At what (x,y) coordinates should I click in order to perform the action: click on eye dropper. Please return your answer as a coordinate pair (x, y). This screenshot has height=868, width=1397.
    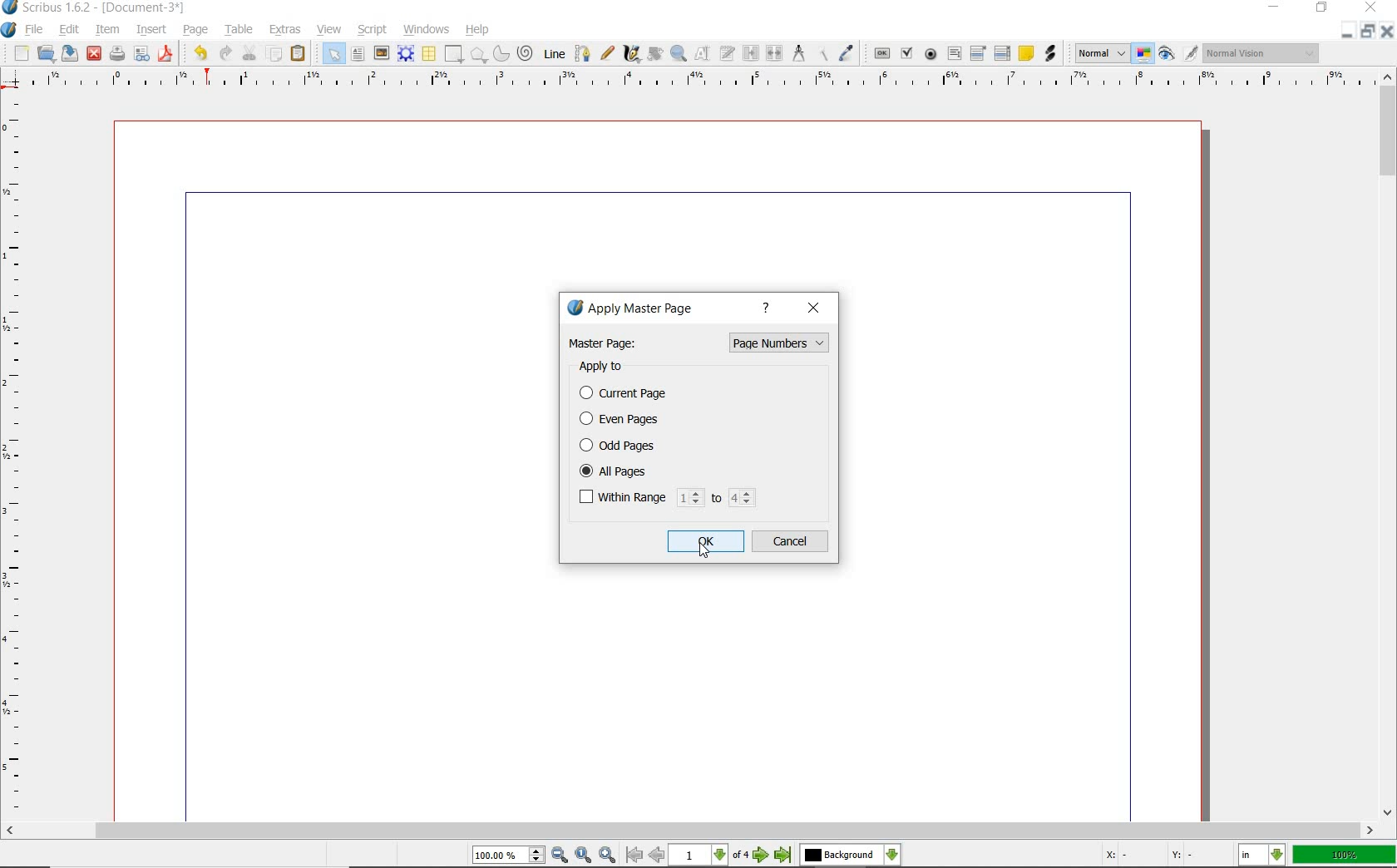
    Looking at the image, I should click on (846, 54).